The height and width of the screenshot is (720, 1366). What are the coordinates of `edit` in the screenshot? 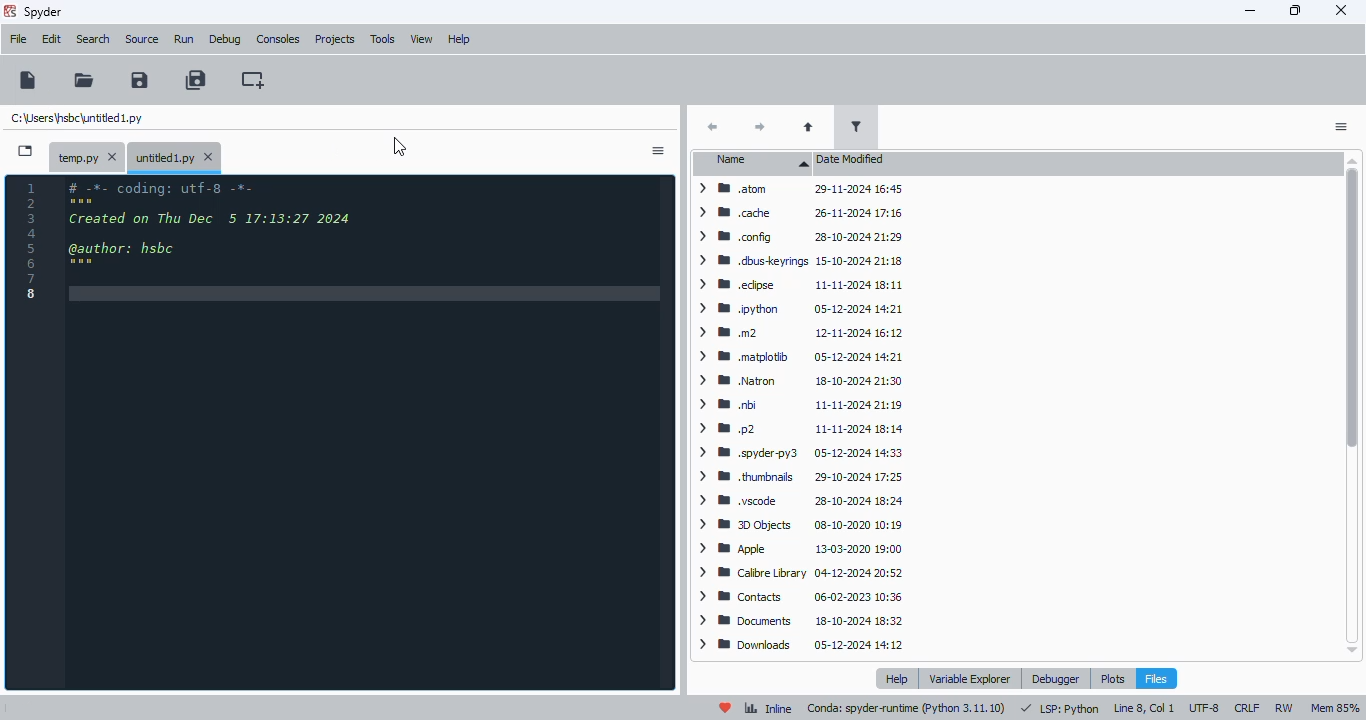 It's located at (52, 39).